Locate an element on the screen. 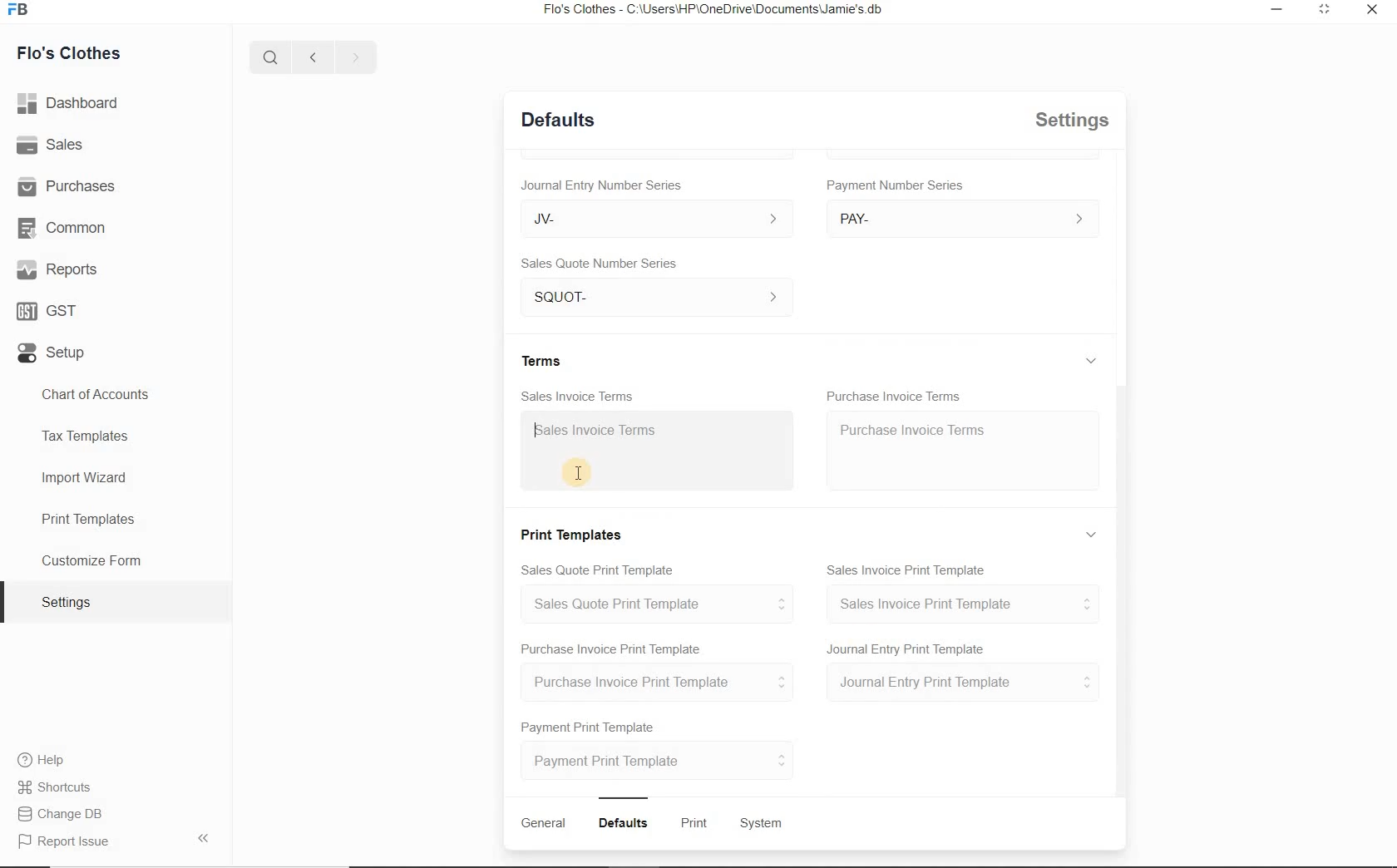 The height and width of the screenshot is (868, 1397). Print Templates is located at coordinates (116, 518).